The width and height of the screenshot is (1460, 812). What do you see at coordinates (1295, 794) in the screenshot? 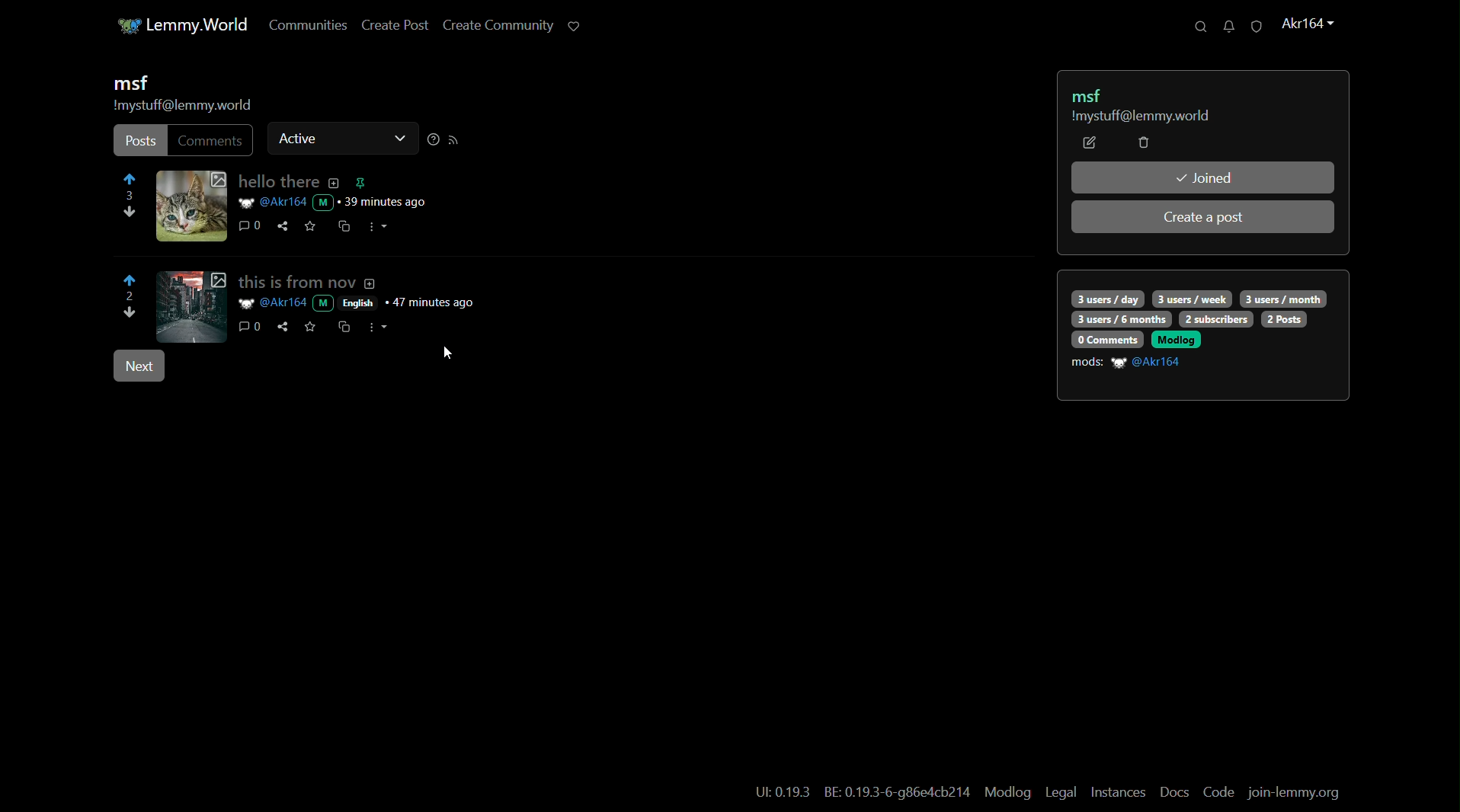
I see `join lemmy.org` at bounding box center [1295, 794].